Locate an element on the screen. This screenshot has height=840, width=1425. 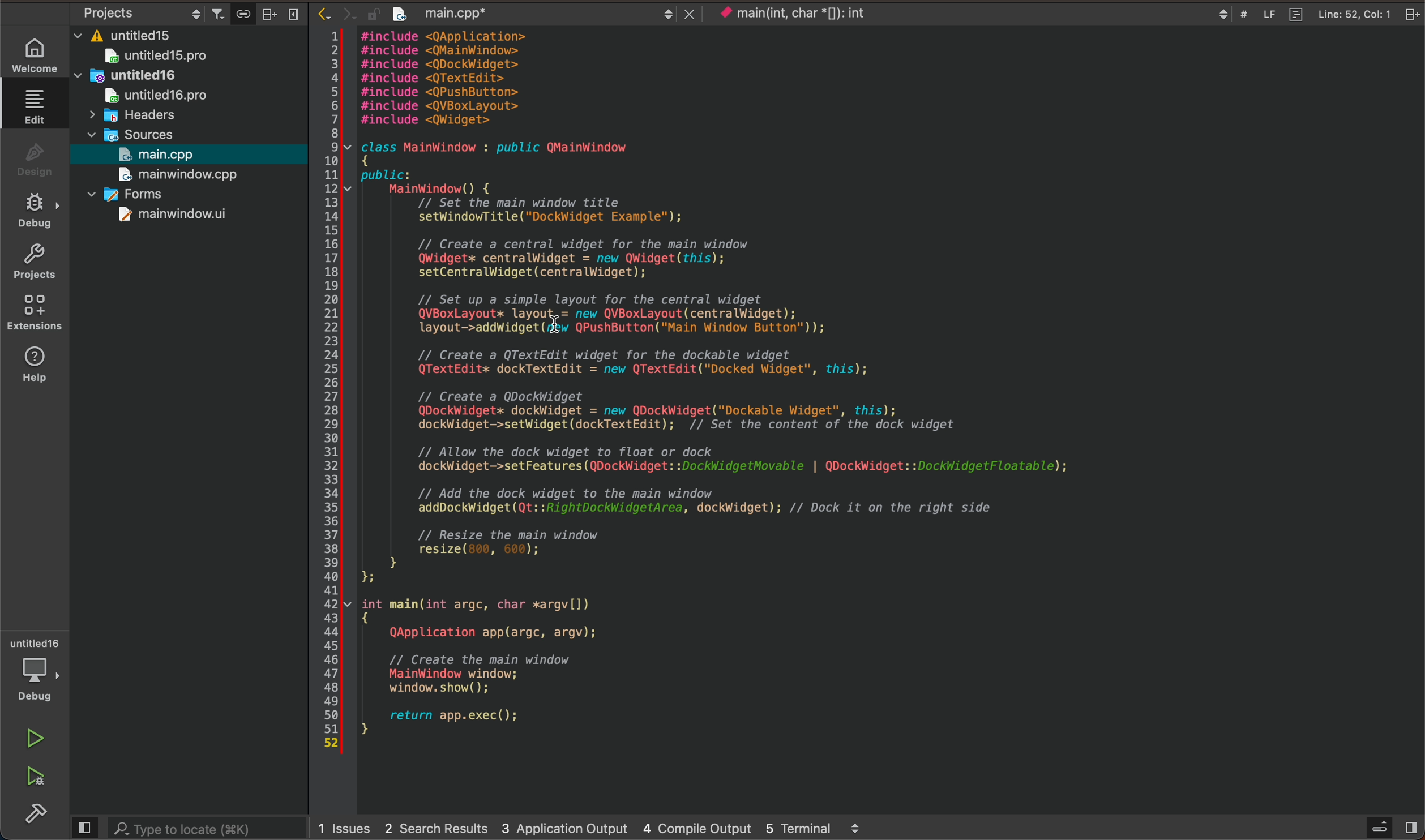
logs is located at coordinates (593, 829).